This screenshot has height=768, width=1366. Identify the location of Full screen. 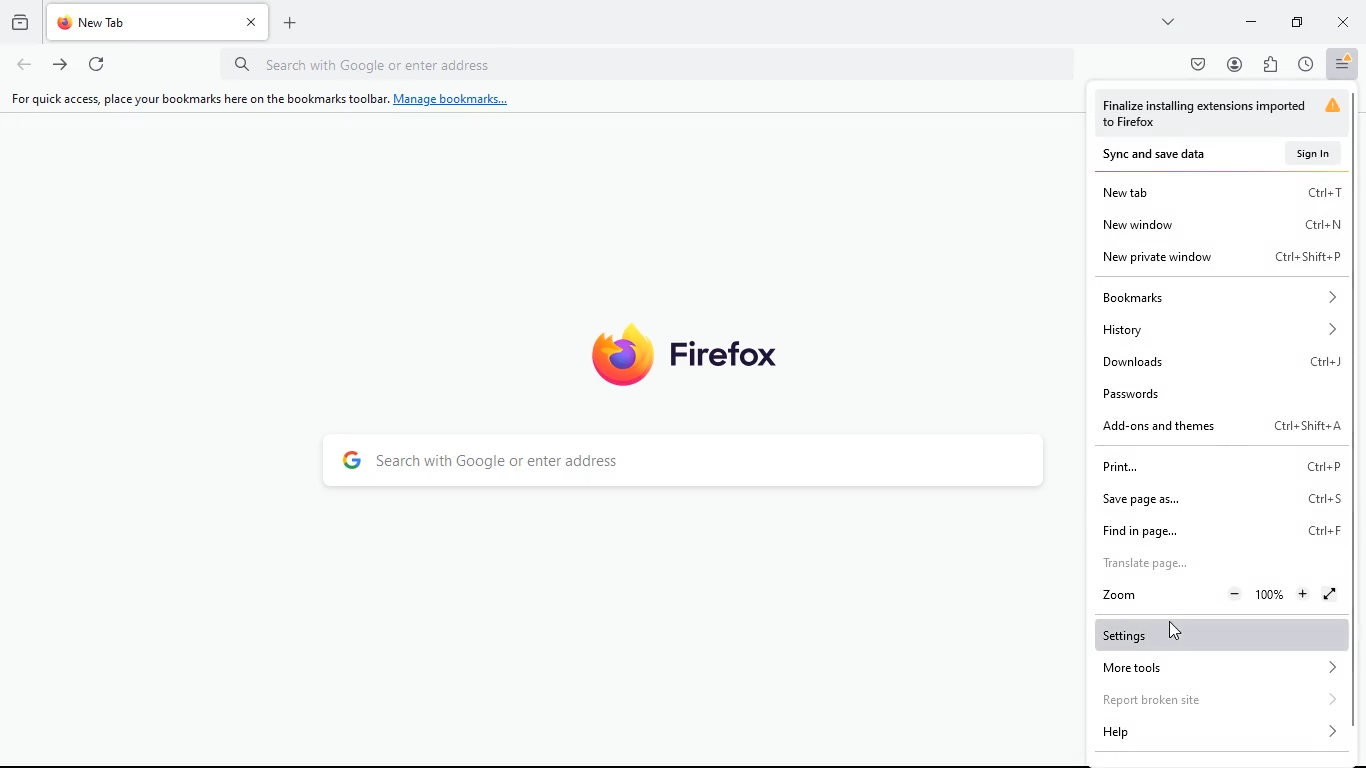
(1331, 593).